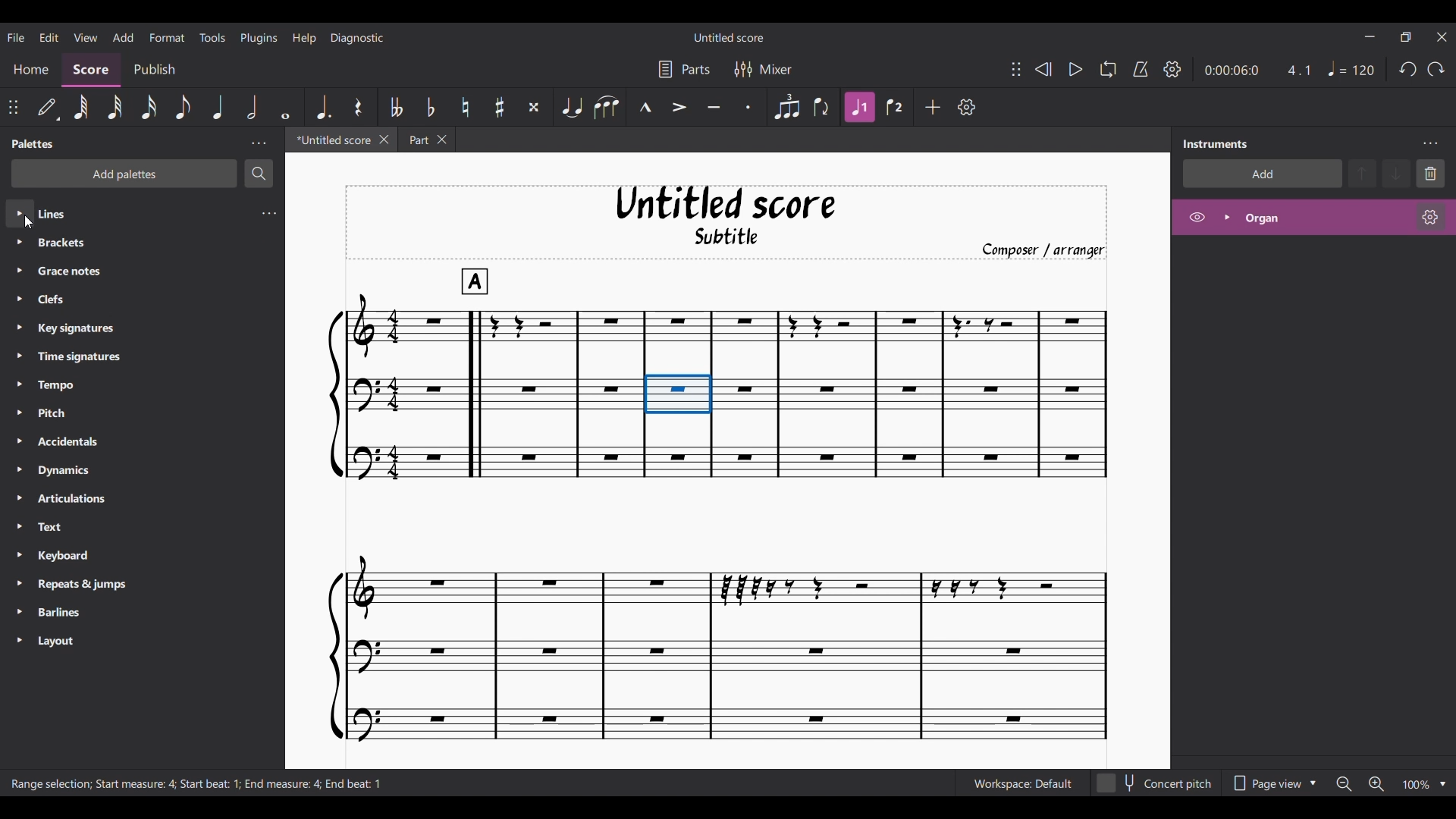  What do you see at coordinates (397, 106) in the screenshot?
I see `Toggle double flat` at bounding box center [397, 106].